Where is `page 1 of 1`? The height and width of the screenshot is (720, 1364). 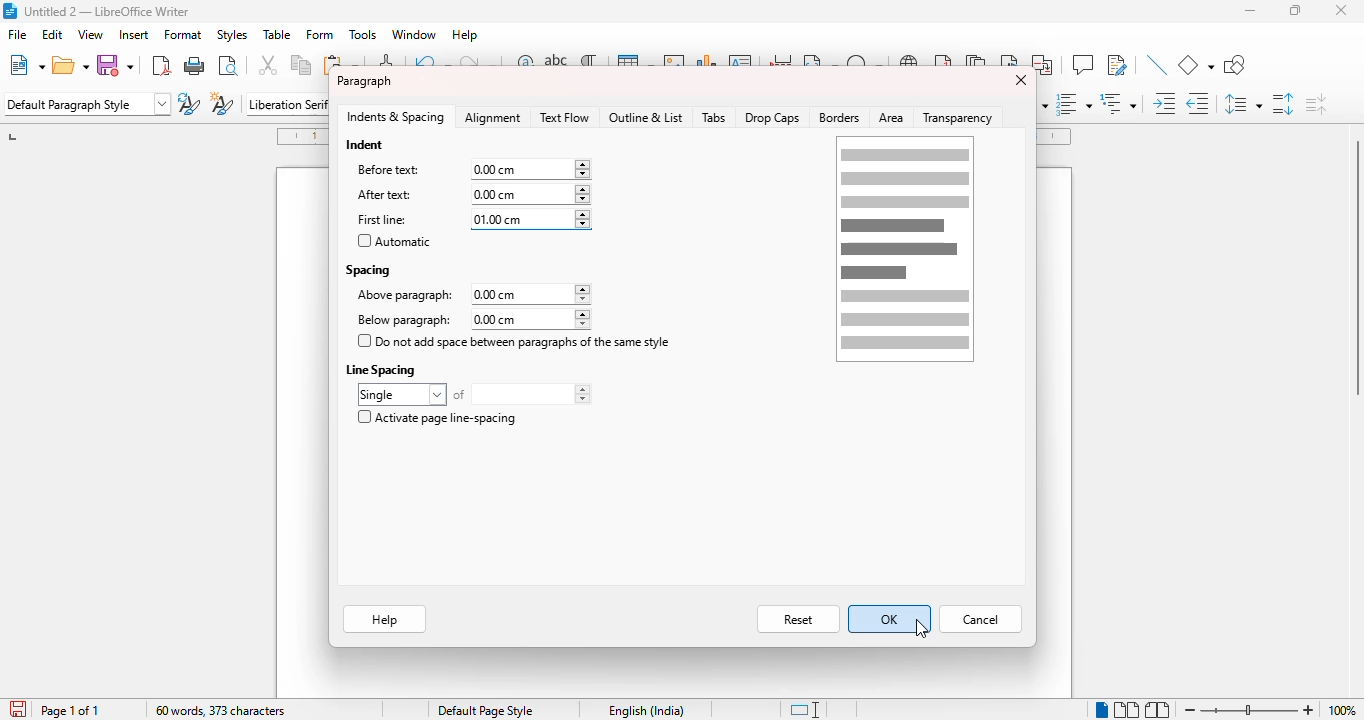
page 1 of 1 is located at coordinates (70, 711).